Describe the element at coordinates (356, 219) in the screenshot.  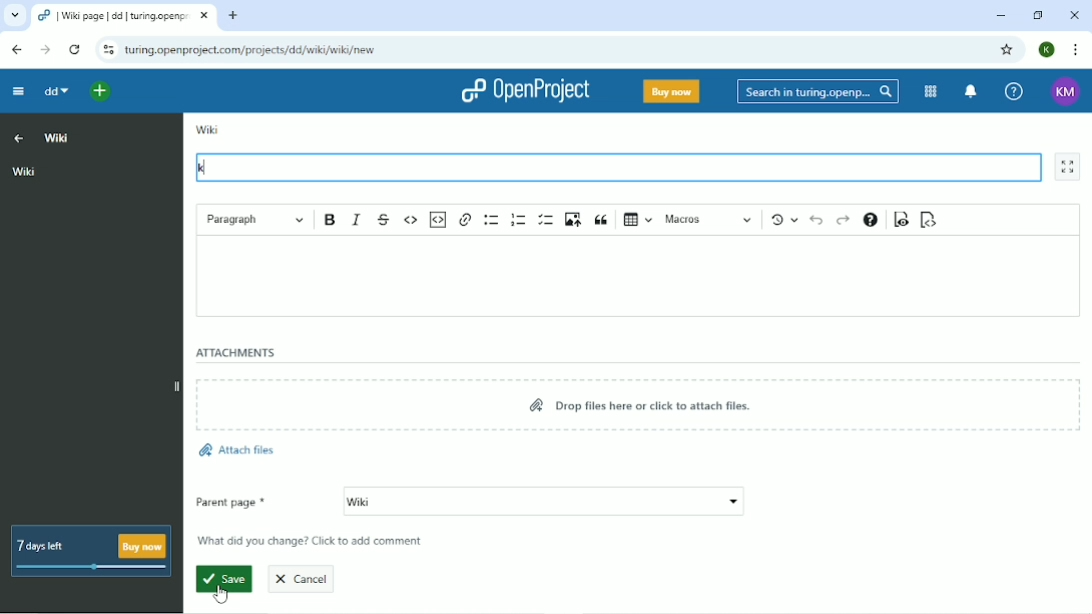
I see `Italic` at that location.